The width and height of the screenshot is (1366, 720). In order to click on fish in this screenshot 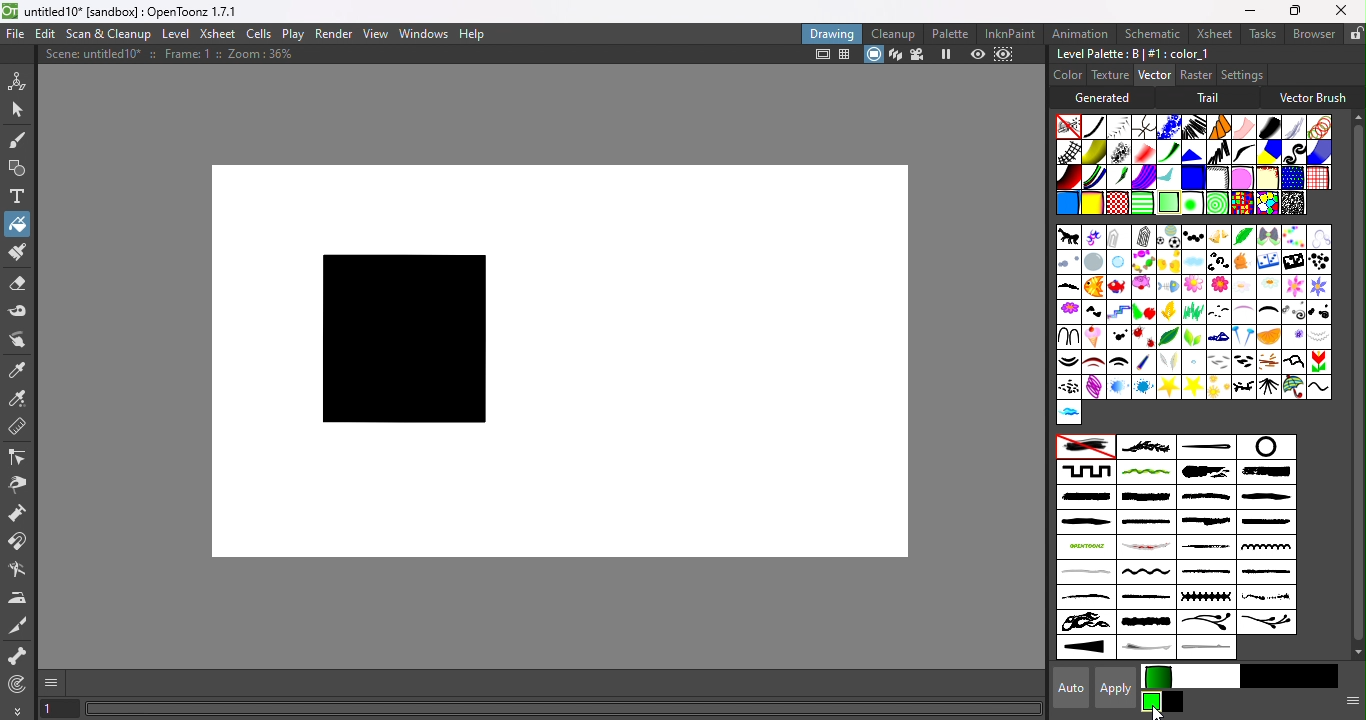, I will do `click(1092, 288)`.